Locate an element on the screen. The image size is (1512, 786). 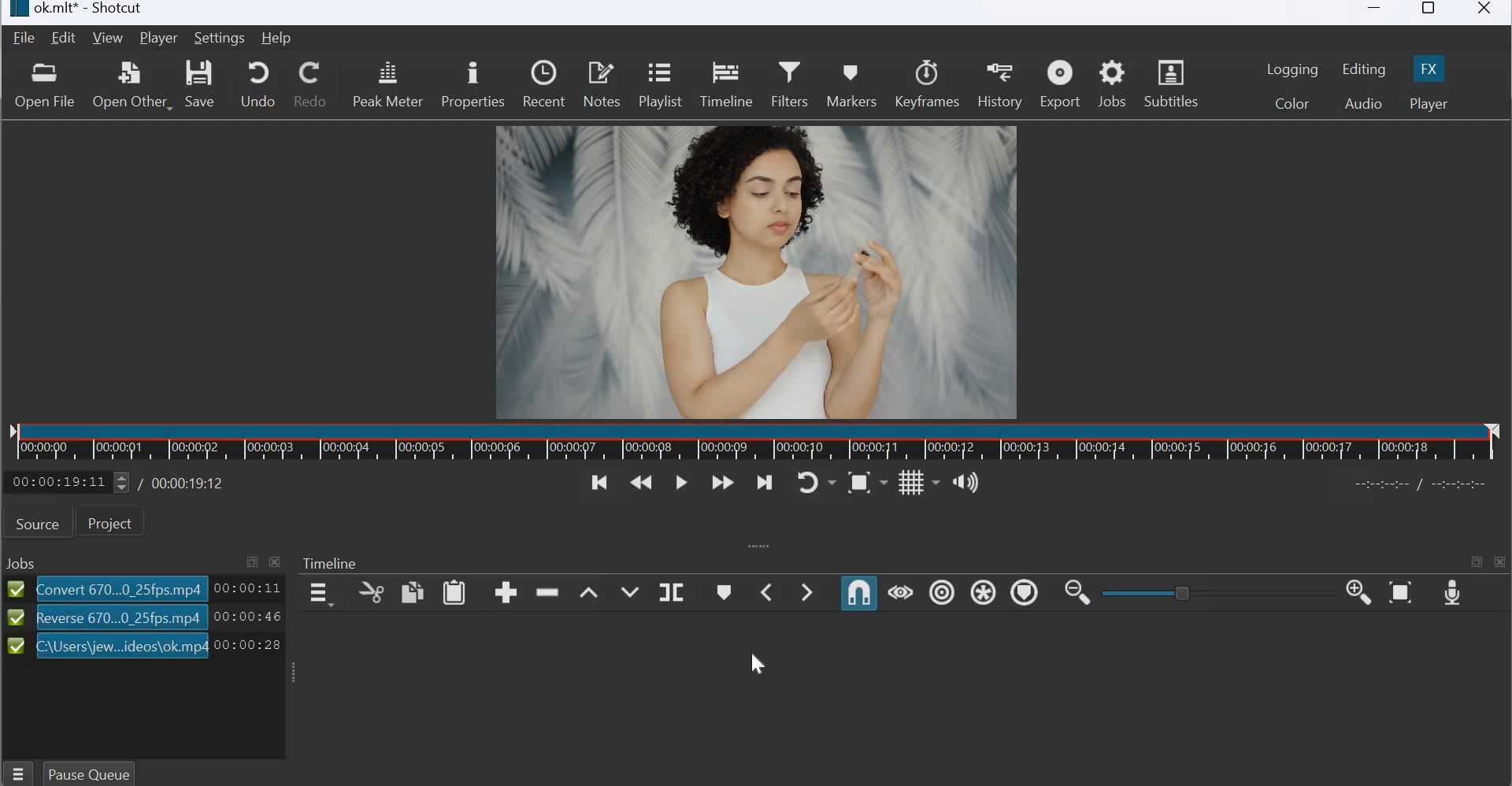
Jobs is located at coordinates (22, 564).